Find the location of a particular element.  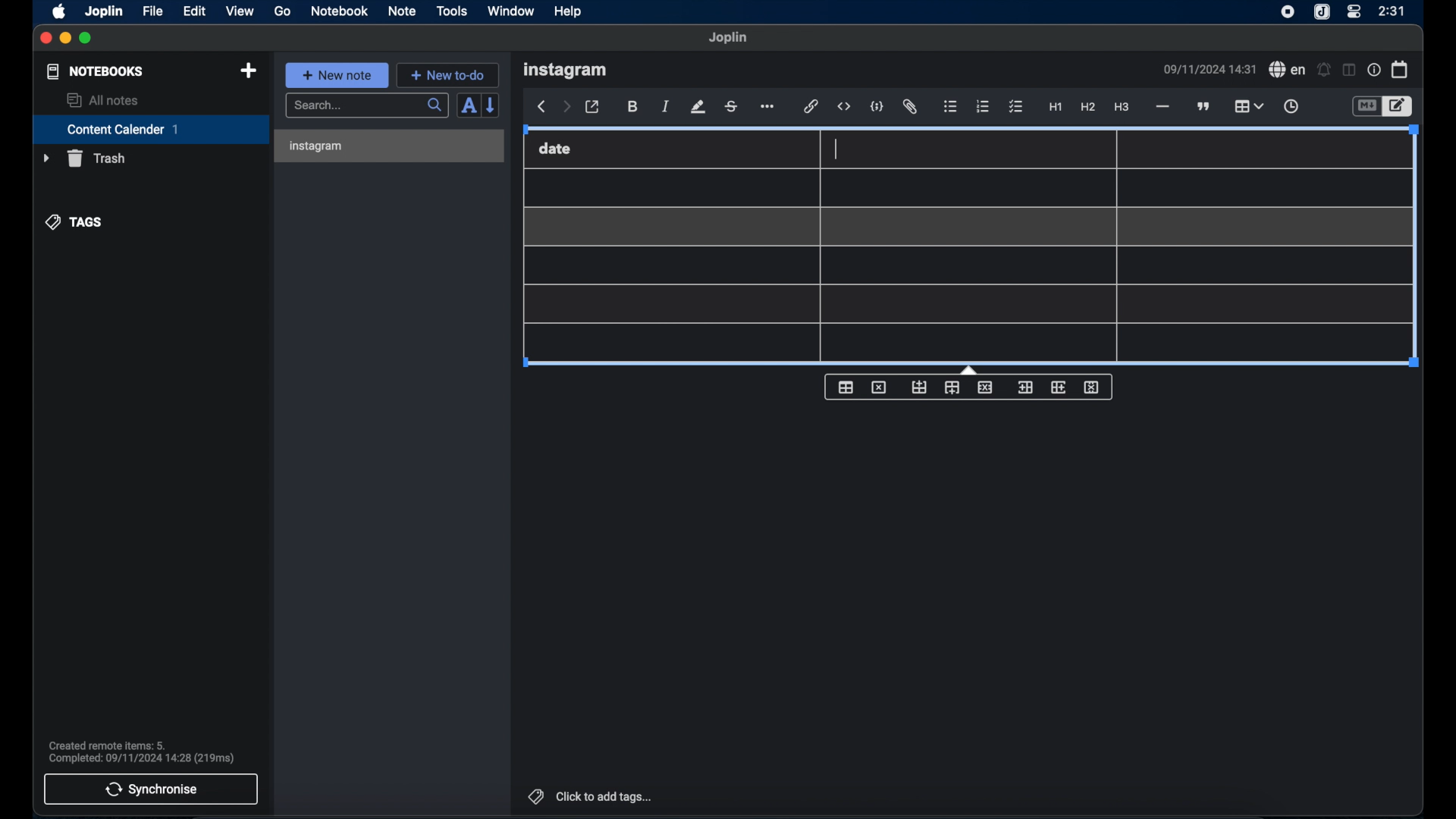

heading 1 is located at coordinates (1056, 108).